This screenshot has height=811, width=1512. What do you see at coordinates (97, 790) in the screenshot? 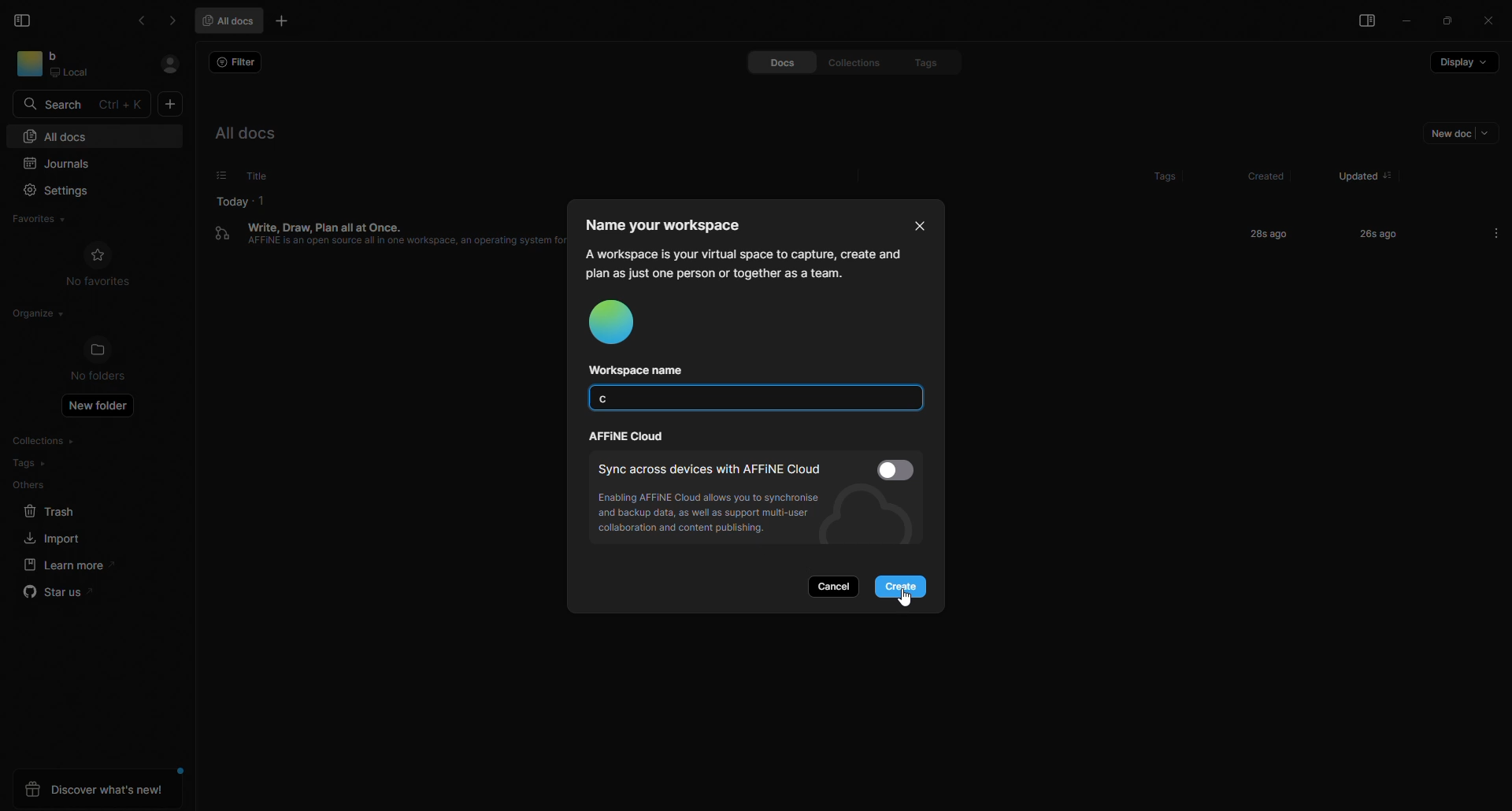
I see `Discover what's new!` at bounding box center [97, 790].